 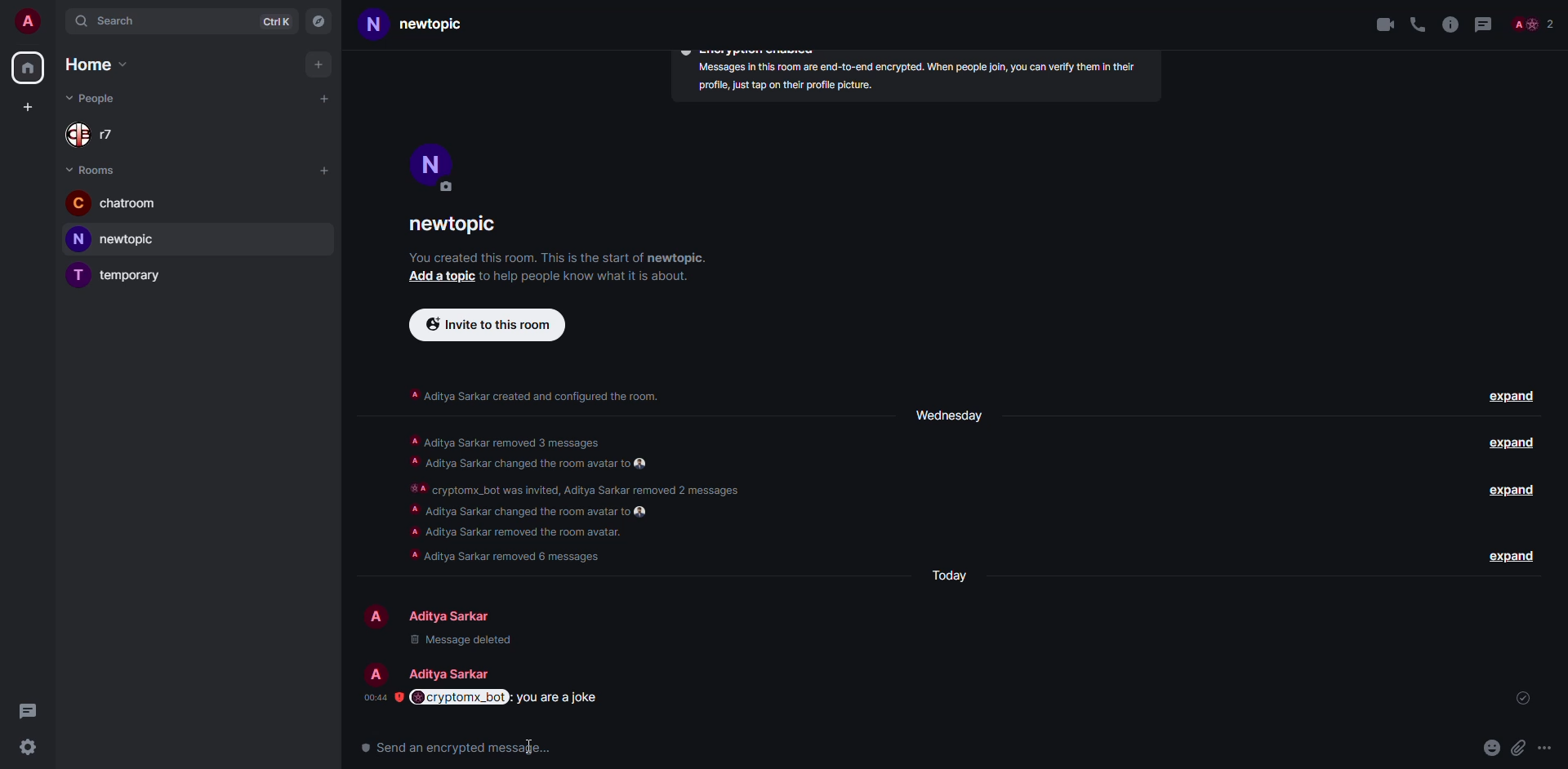 What do you see at coordinates (324, 100) in the screenshot?
I see `add` at bounding box center [324, 100].